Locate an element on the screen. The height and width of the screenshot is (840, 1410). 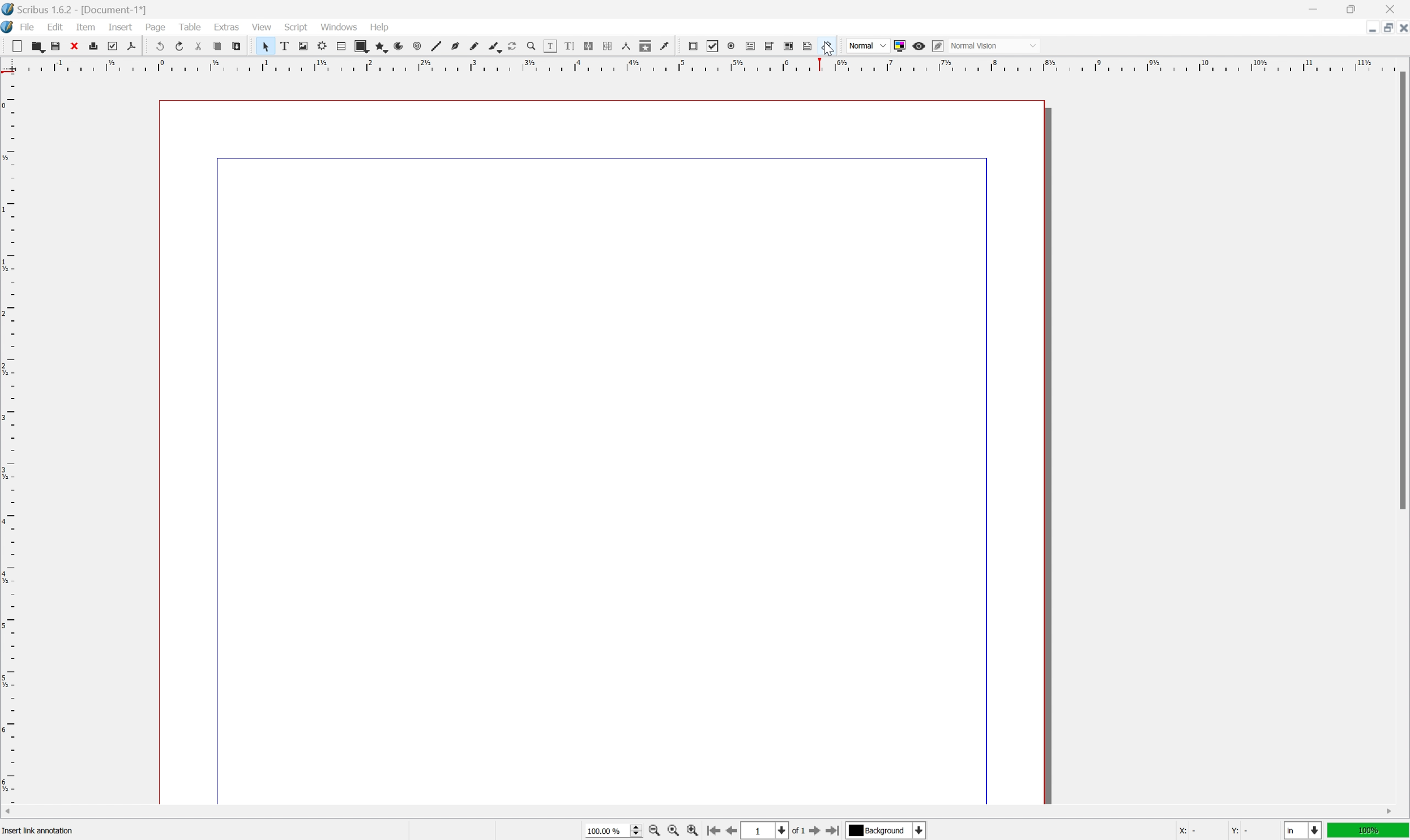
go to previous page is located at coordinates (729, 830).